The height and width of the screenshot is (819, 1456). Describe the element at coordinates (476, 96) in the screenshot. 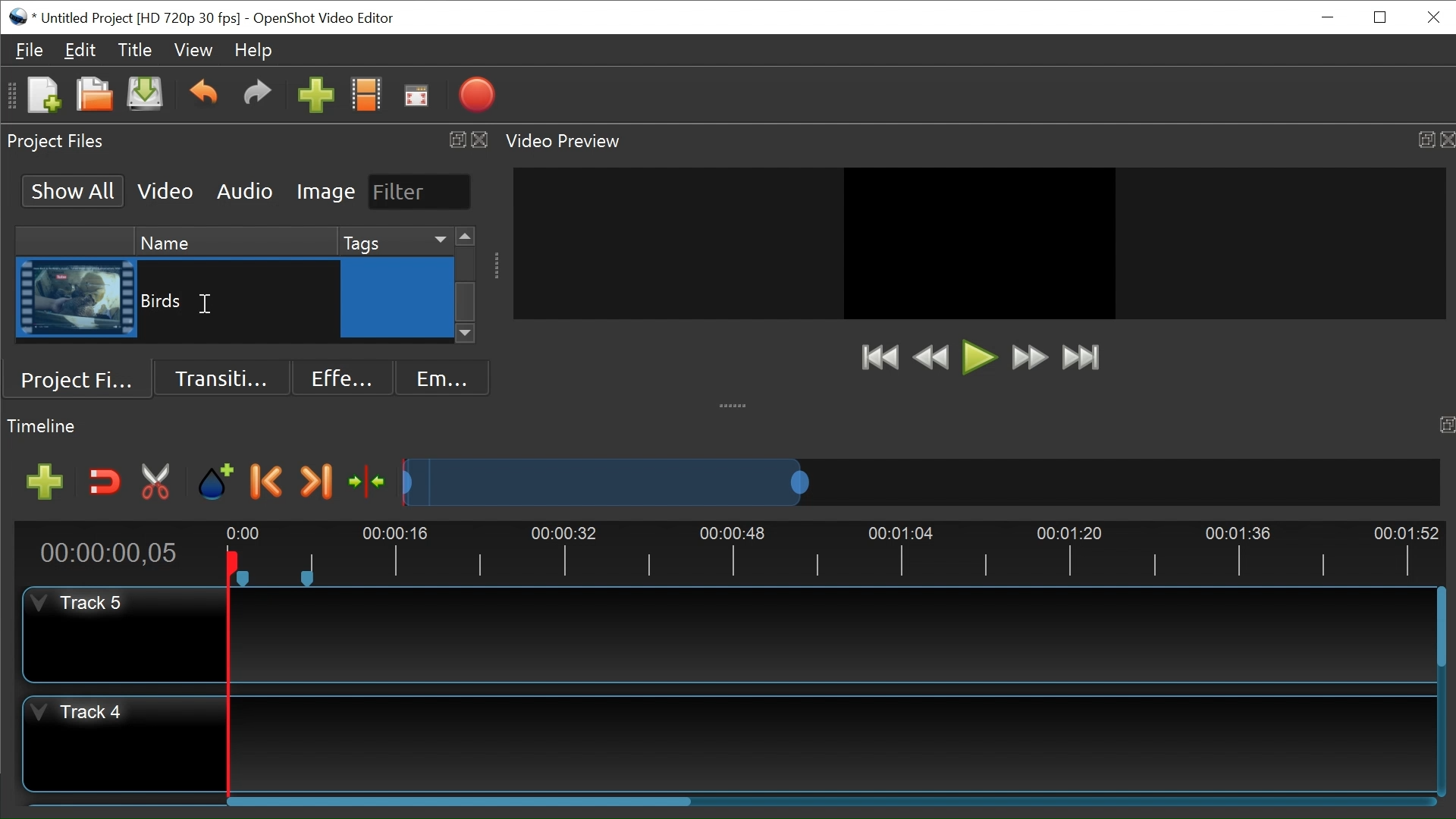

I see `Export Video` at that location.